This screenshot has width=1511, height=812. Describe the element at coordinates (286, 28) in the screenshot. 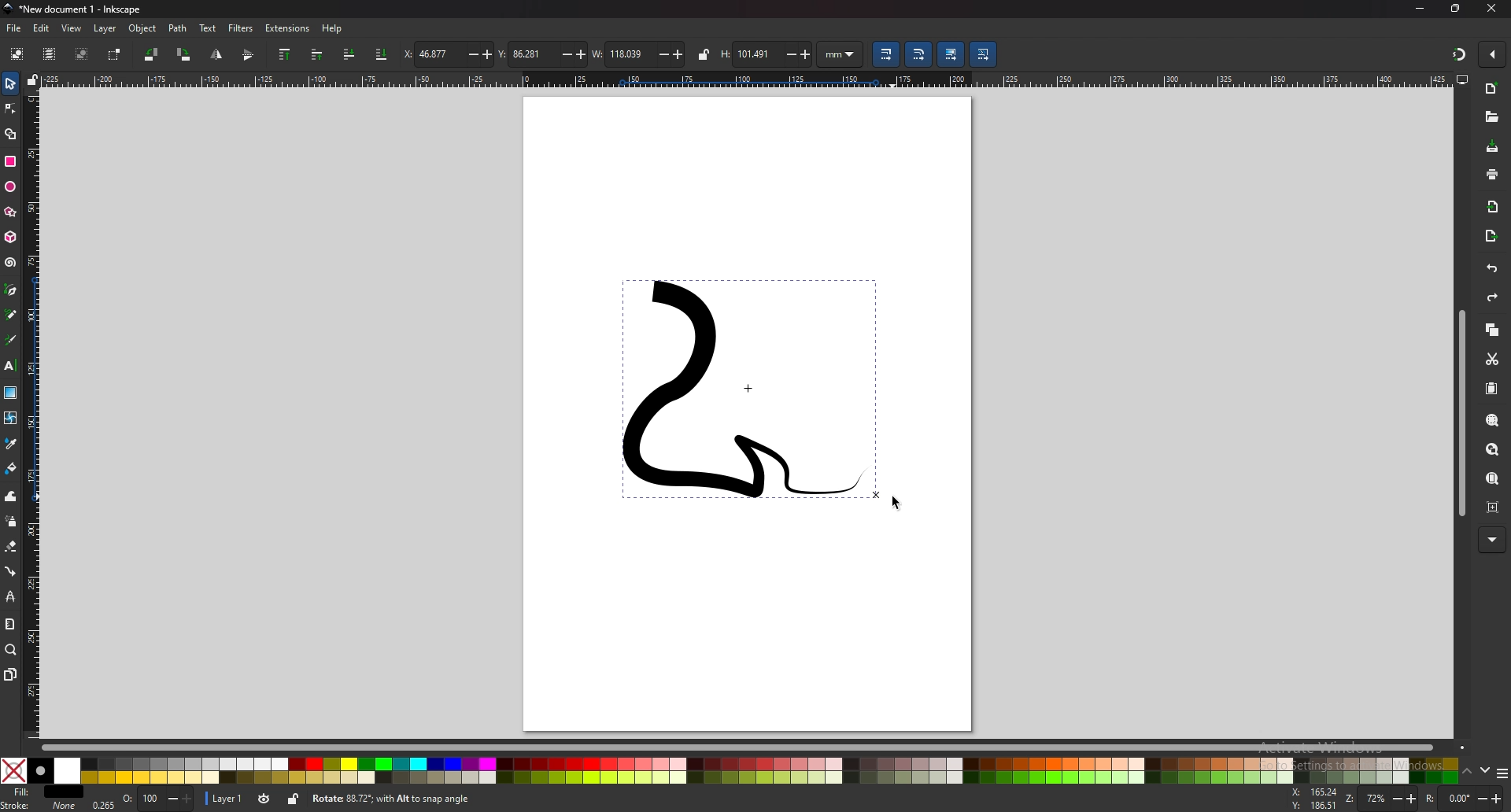

I see `extensions` at that location.